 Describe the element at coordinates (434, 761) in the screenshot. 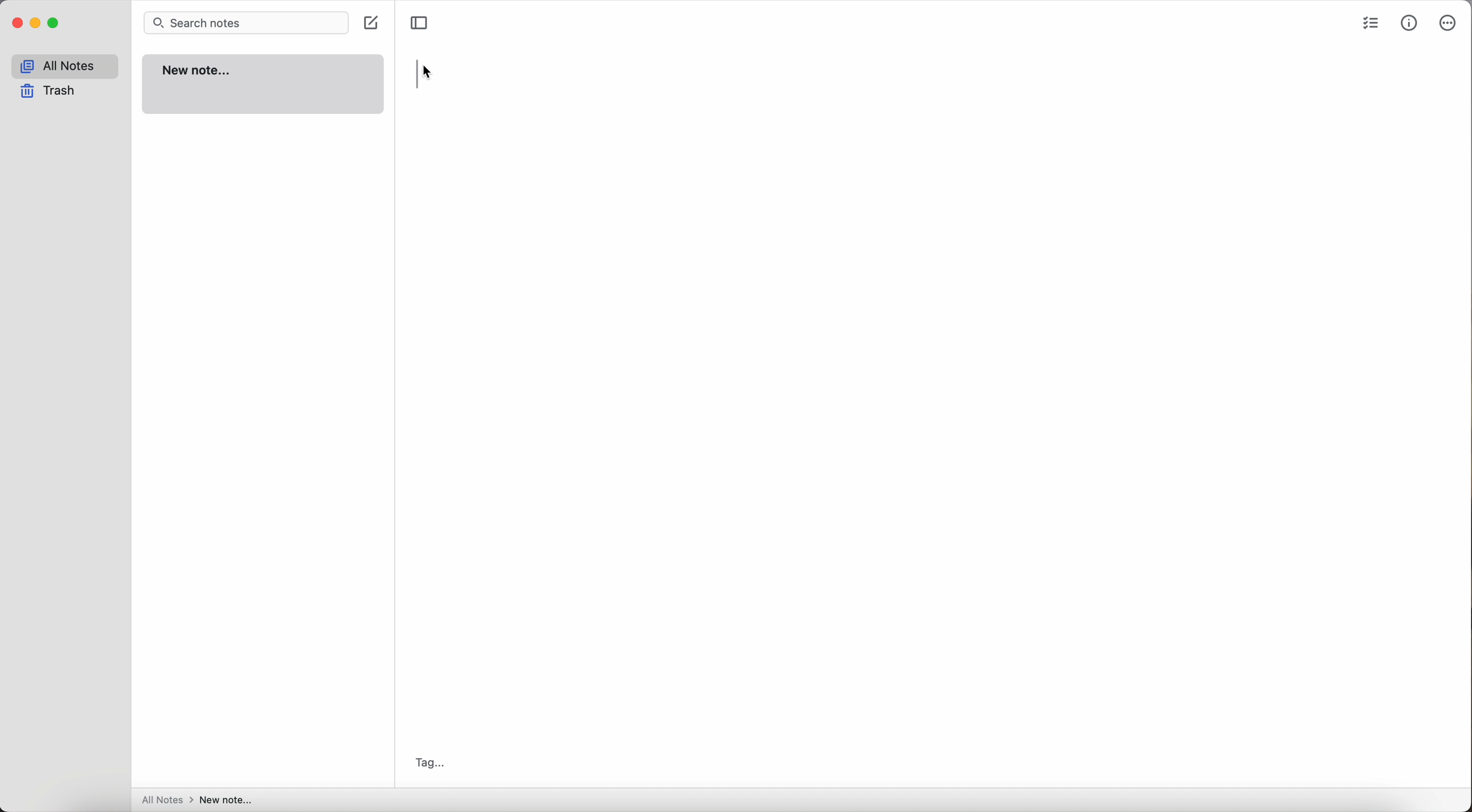

I see `tag` at that location.